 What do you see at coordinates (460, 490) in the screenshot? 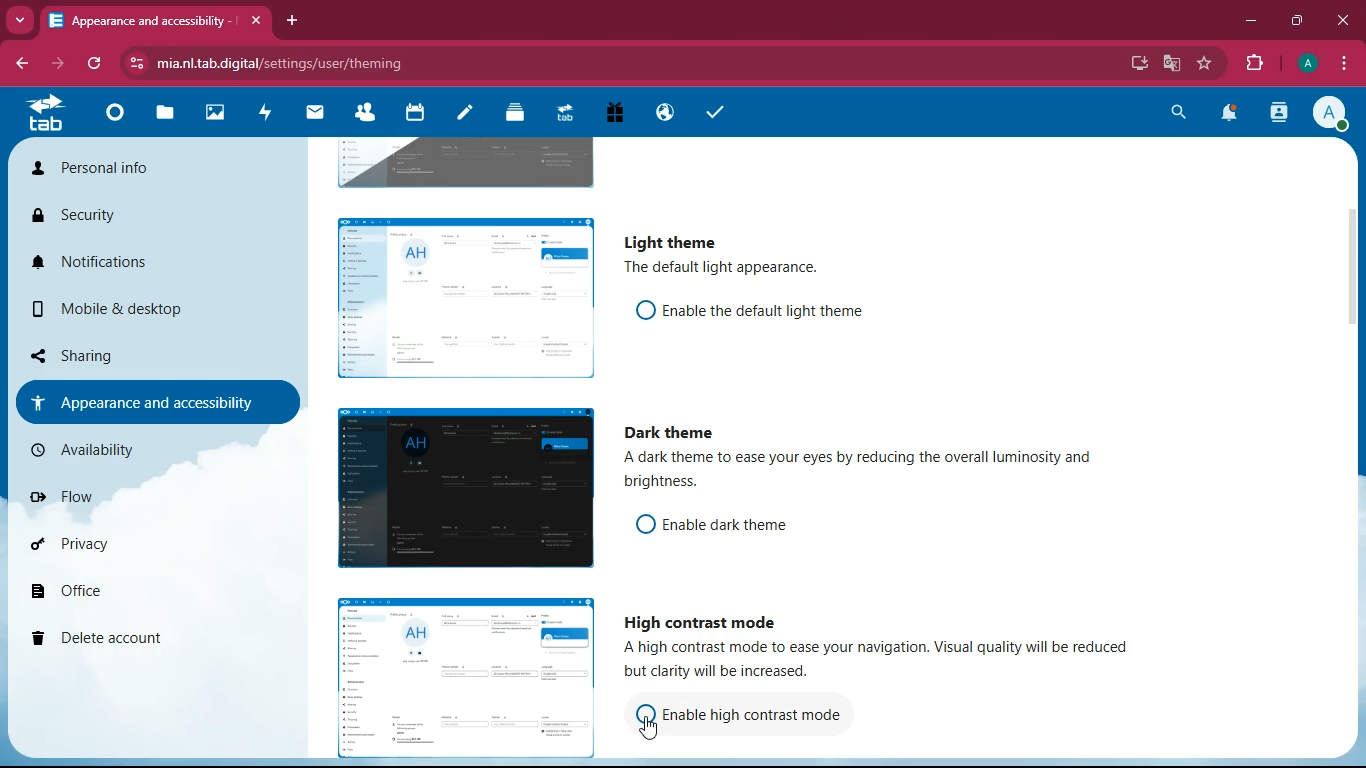
I see `image` at bounding box center [460, 490].